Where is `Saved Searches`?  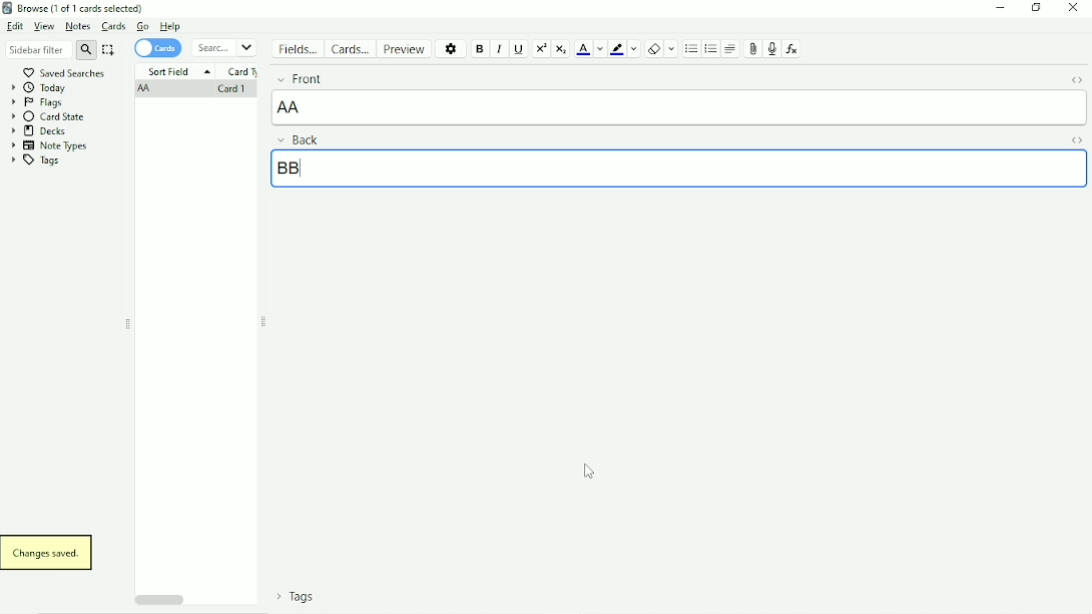
Saved Searches is located at coordinates (66, 72).